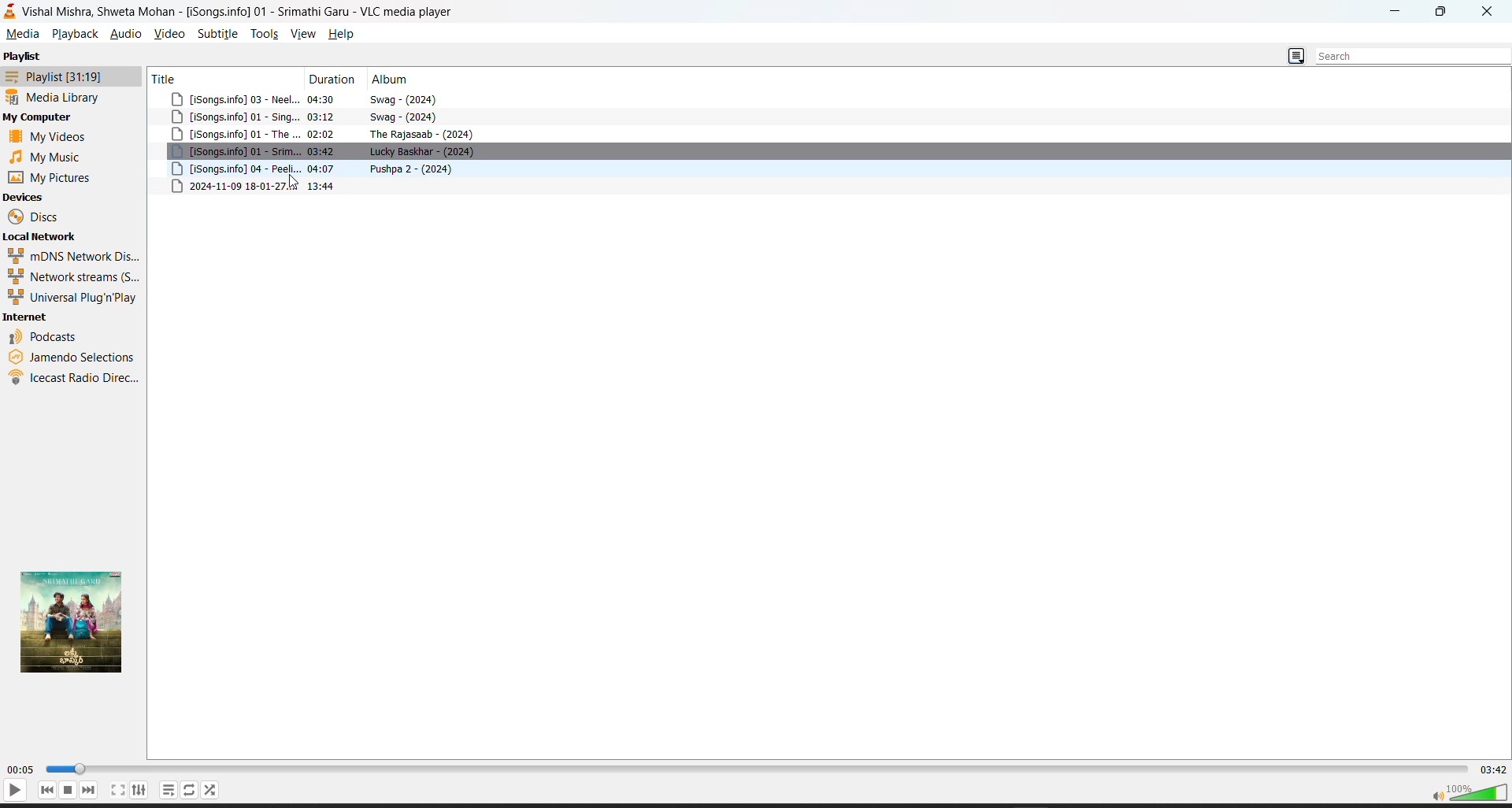 The width and height of the screenshot is (1512, 808). Describe the element at coordinates (167, 788) in the screenshot. I see `playlist` at that location.